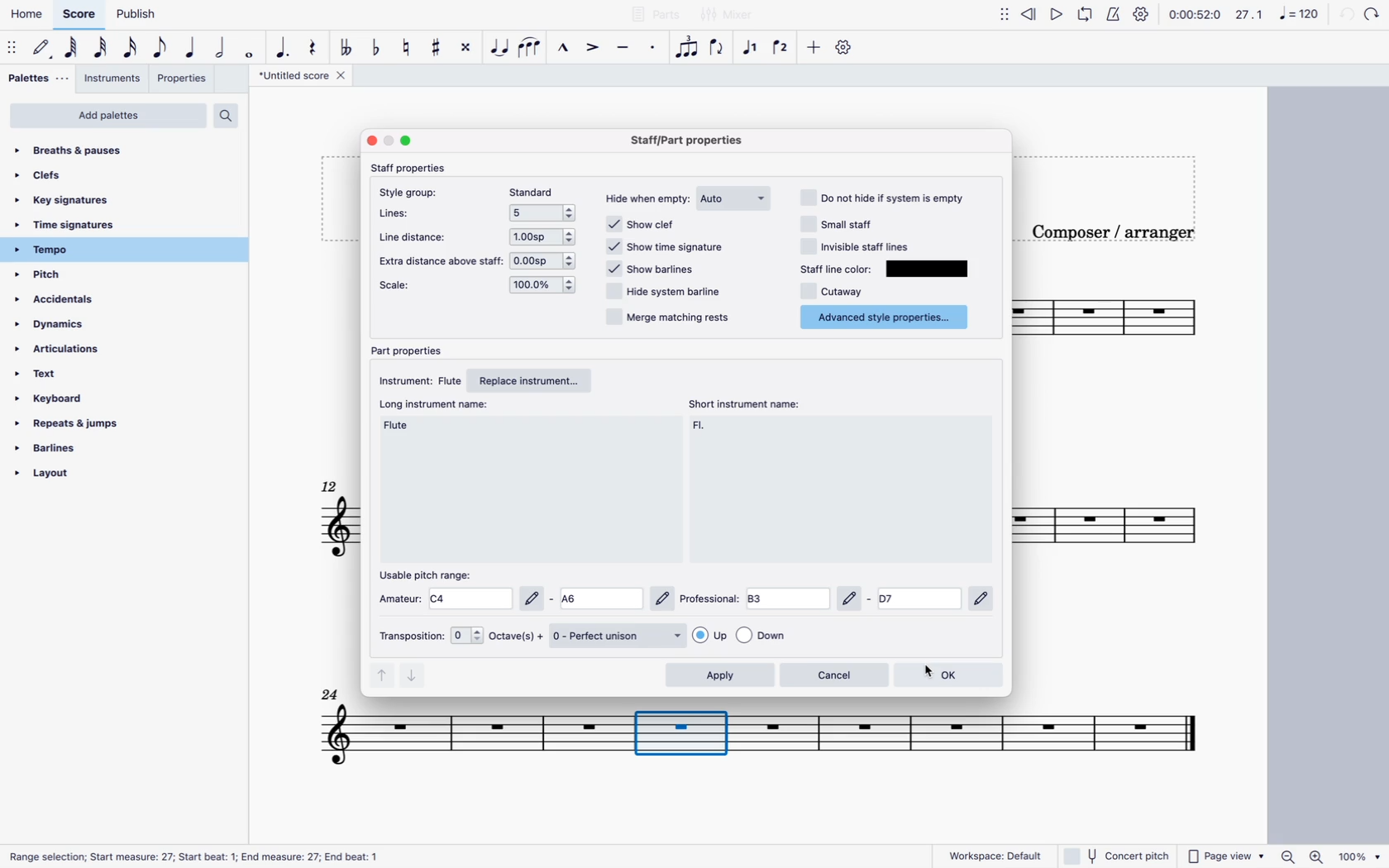 This screenshot has height=868, width=1389. I want to click on default, so click(43, 46).